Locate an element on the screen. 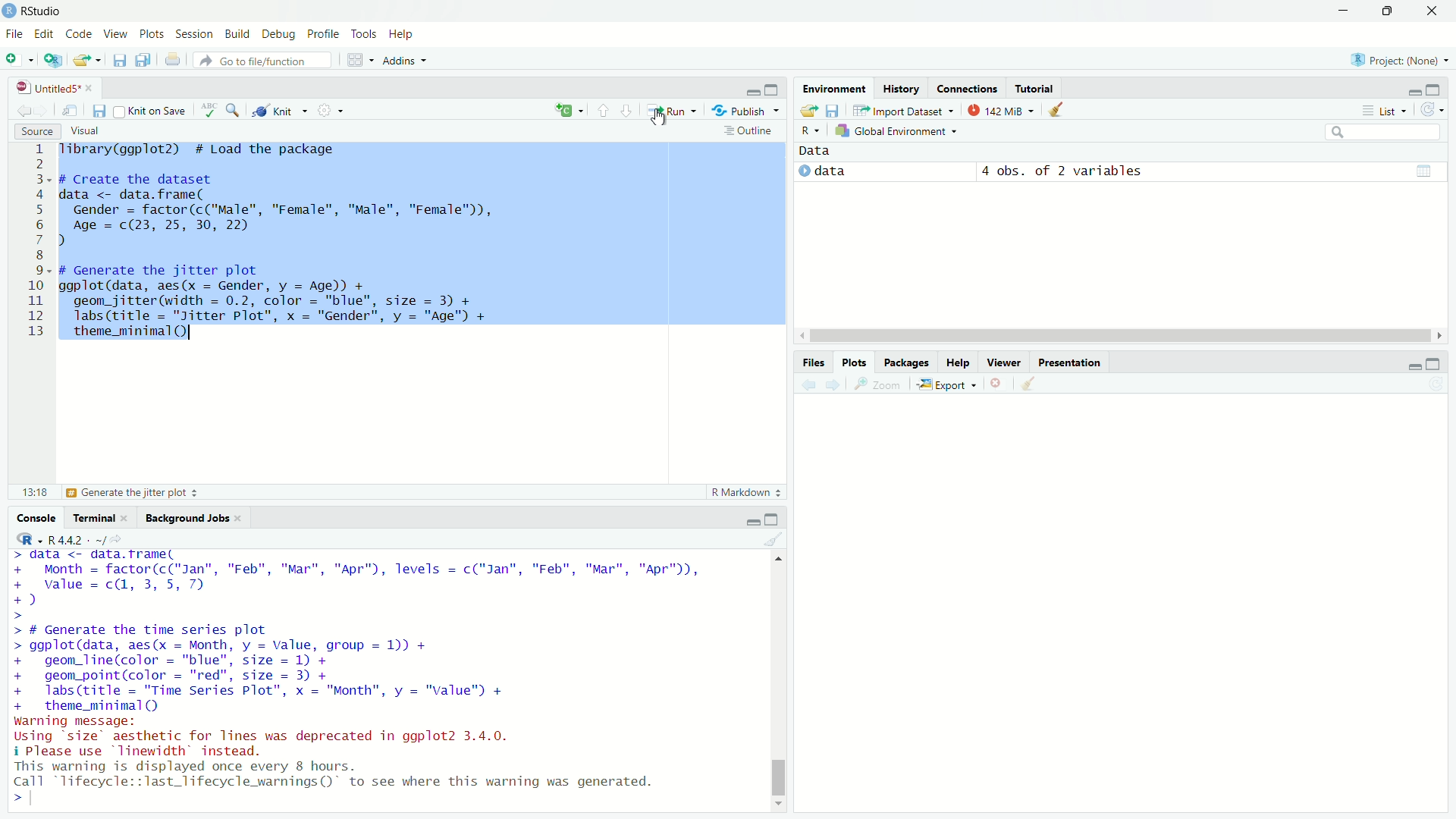 The width and height of the screenshot is (1456, 819). search field is located at coordinates (1388, 133).